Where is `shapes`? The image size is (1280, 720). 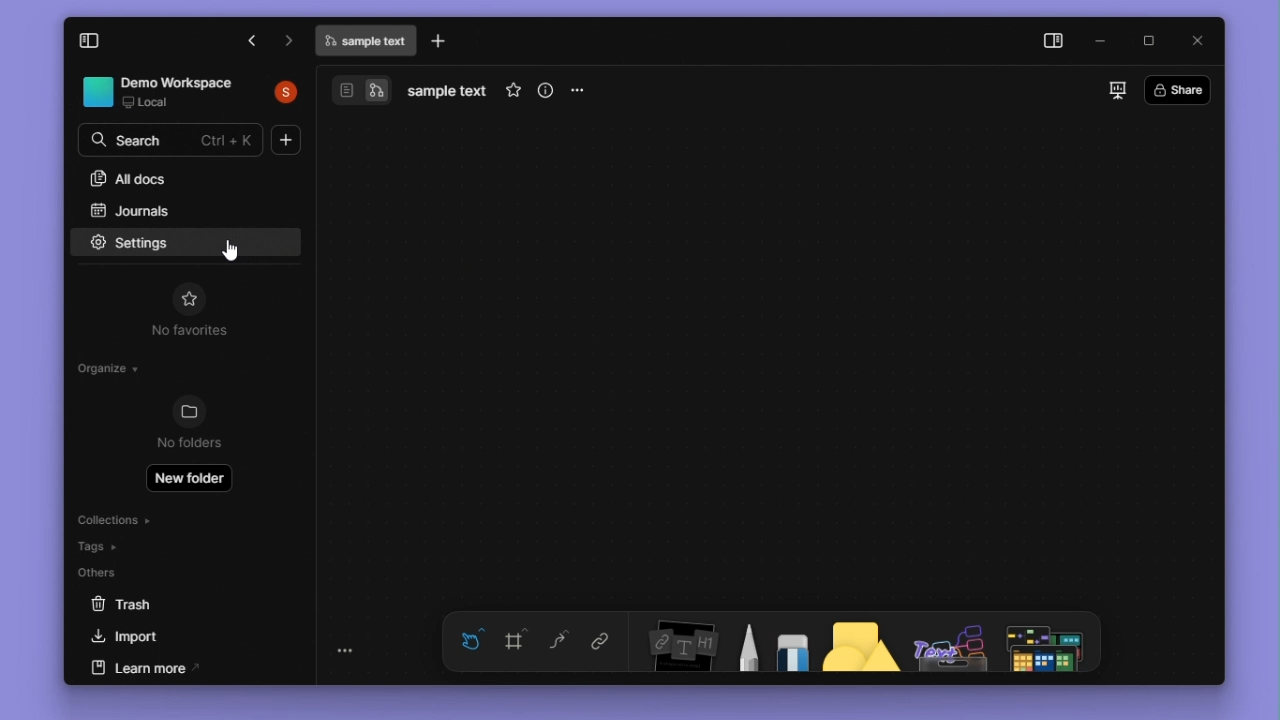 shapes is located at coordinates (862, 640).